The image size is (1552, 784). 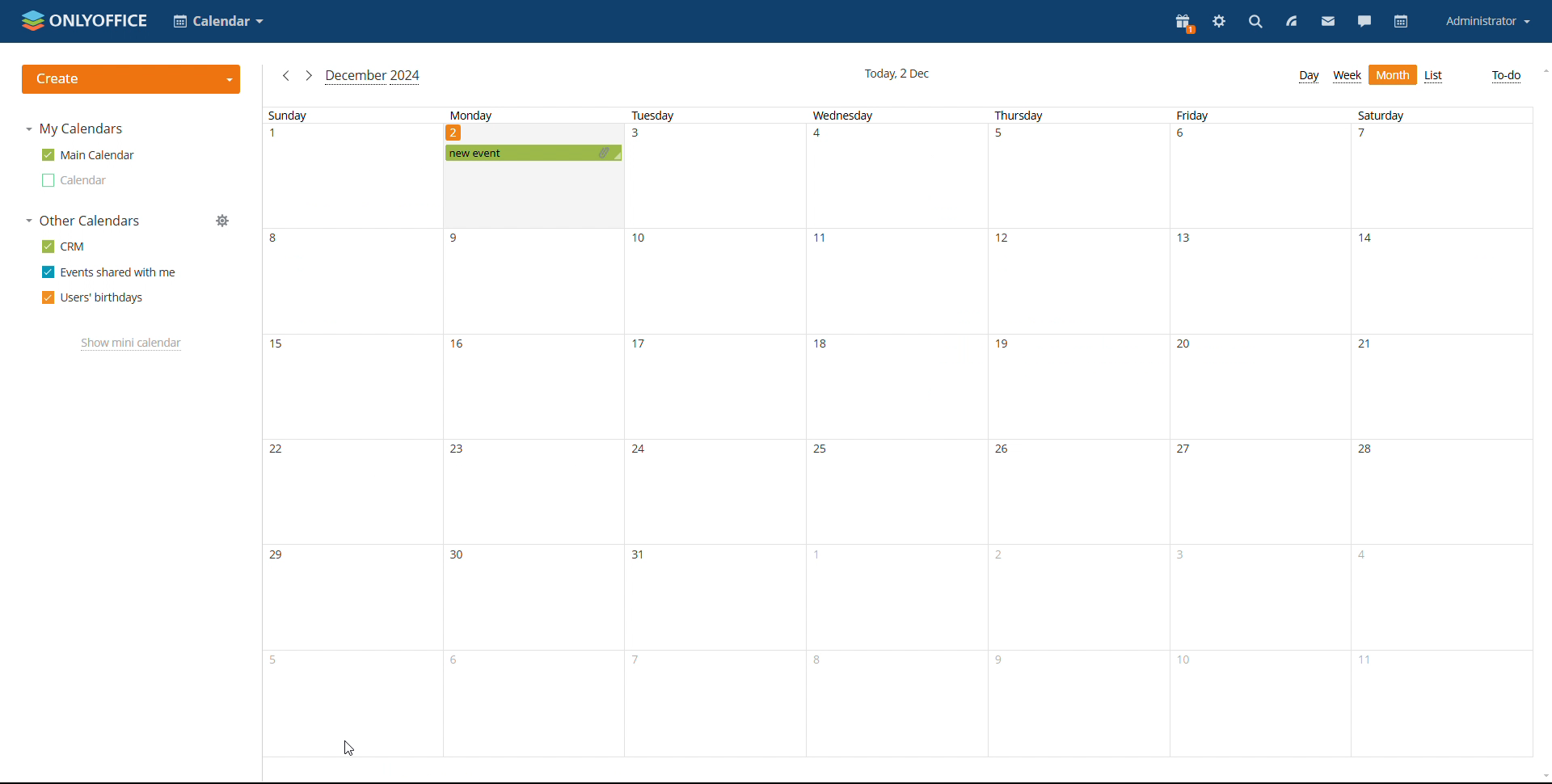 What do you see at coordinates (72, 180) in the screenshot?
I see `other calendar` at bounding box center [72, 180].